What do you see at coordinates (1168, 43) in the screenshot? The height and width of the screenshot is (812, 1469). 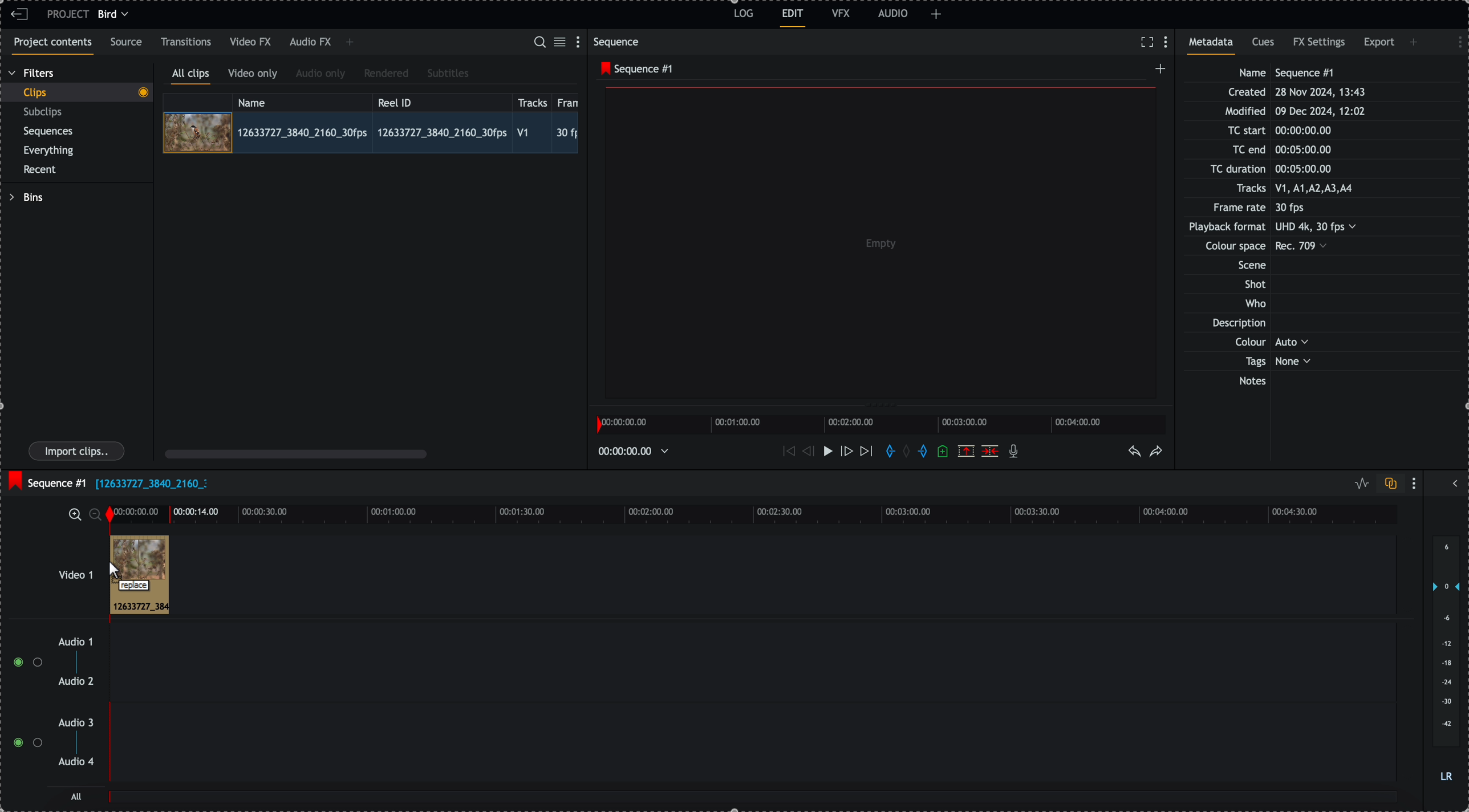 I see `show settings menu` at bounding box center [1168, 43].